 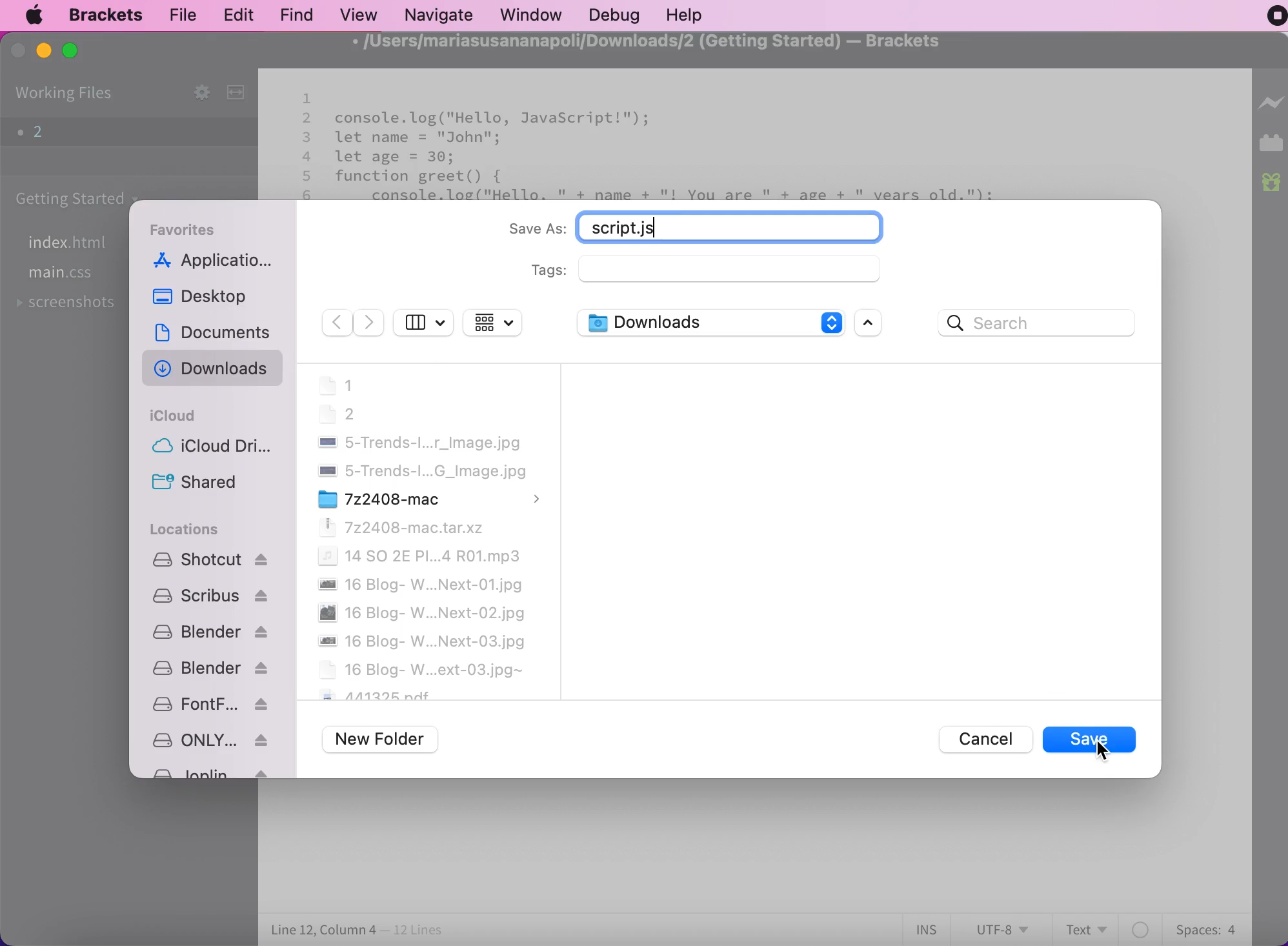 What do you see at coordinates (64, 276) in the screenshot?
I see `main.css` at bounding box center [64, 276].